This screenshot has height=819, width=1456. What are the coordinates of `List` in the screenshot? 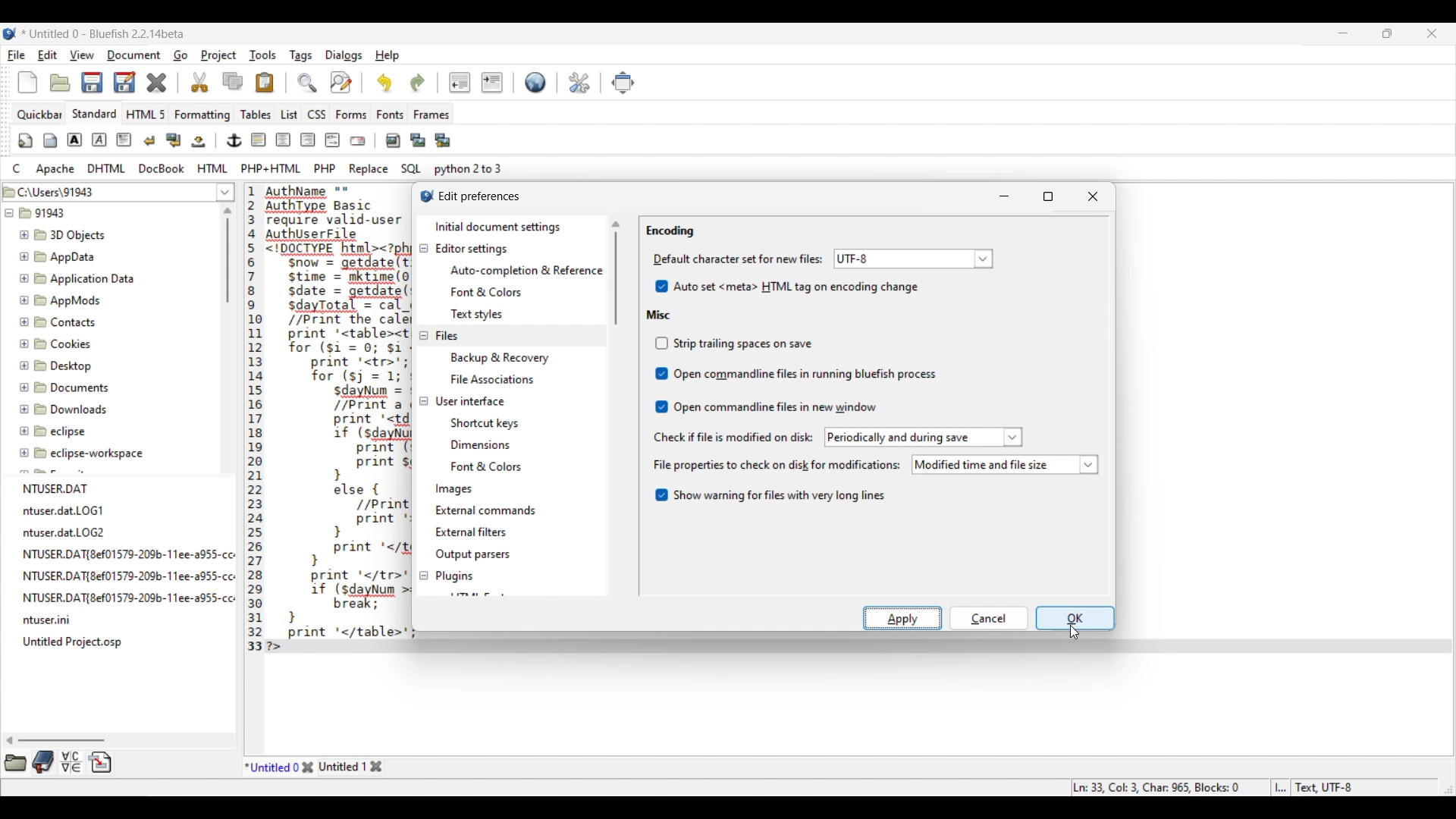 It's located at (290, 115).